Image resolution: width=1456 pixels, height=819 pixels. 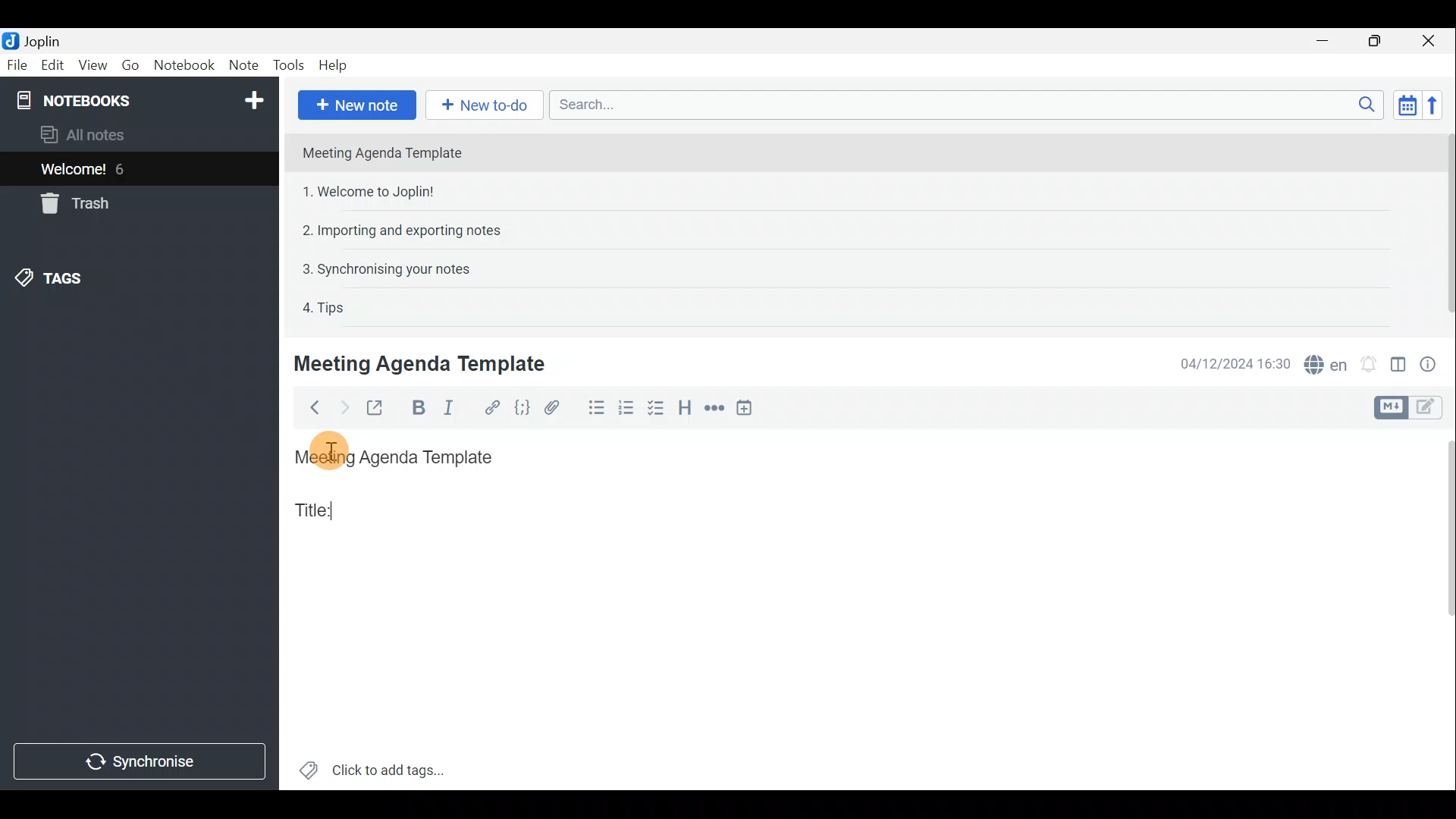 What do you see at coordinates (456, 409) in the screenshot?
I see `Italic` at bounding box center [456, 409].